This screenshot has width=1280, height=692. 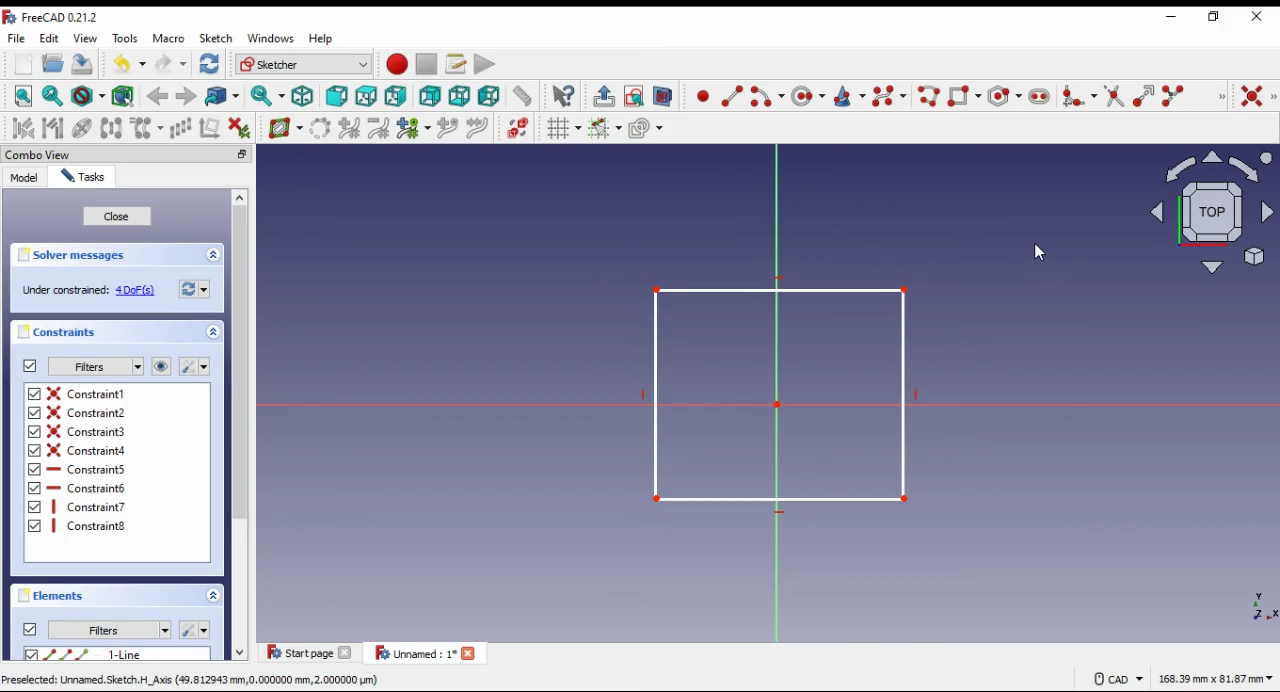 What do you see at coordinates (53, 128) in the screenshot?
I see `select associated geometry` at bounding box center [53, 128].